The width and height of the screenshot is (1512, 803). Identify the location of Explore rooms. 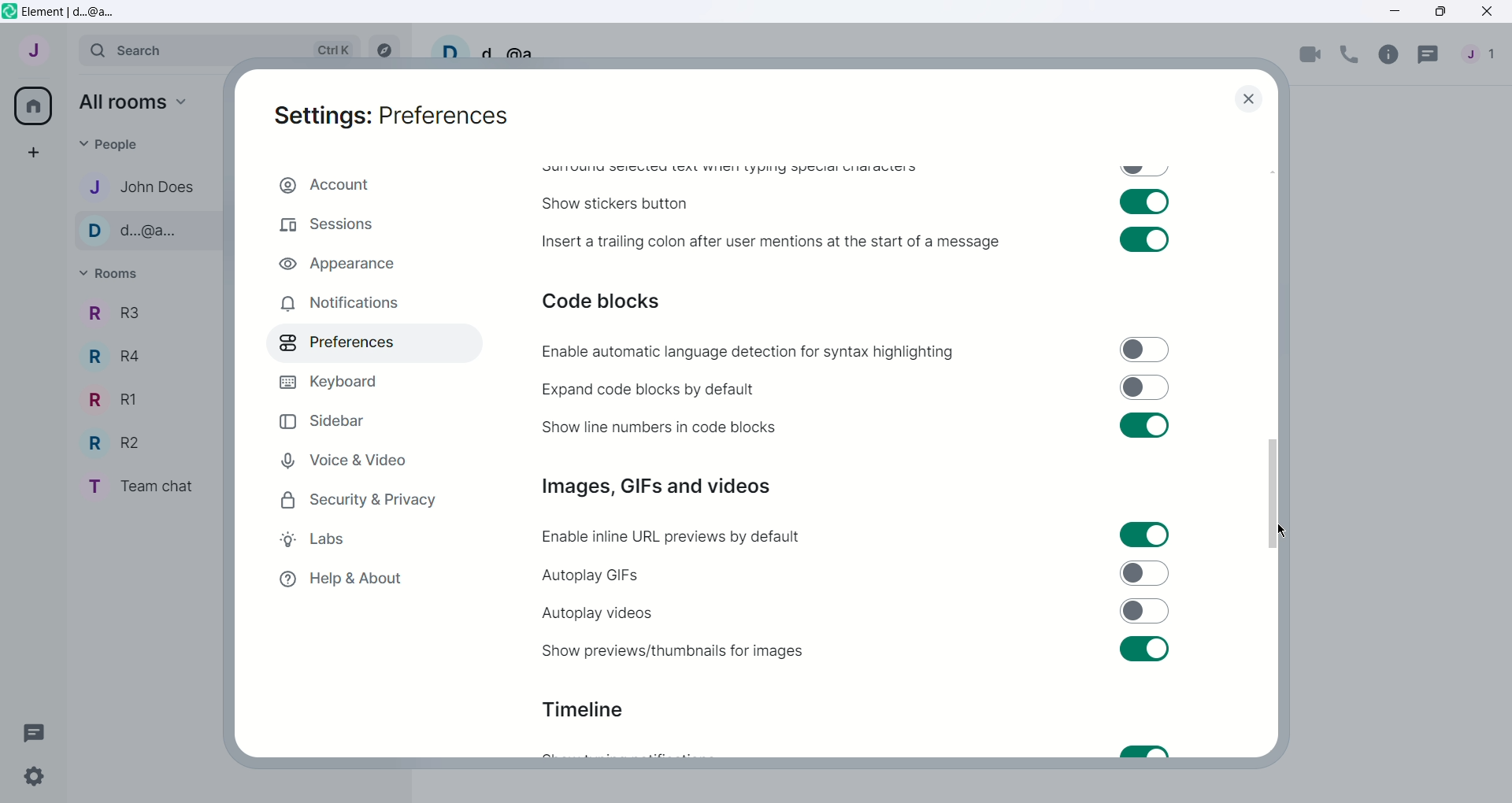
(384, 47).